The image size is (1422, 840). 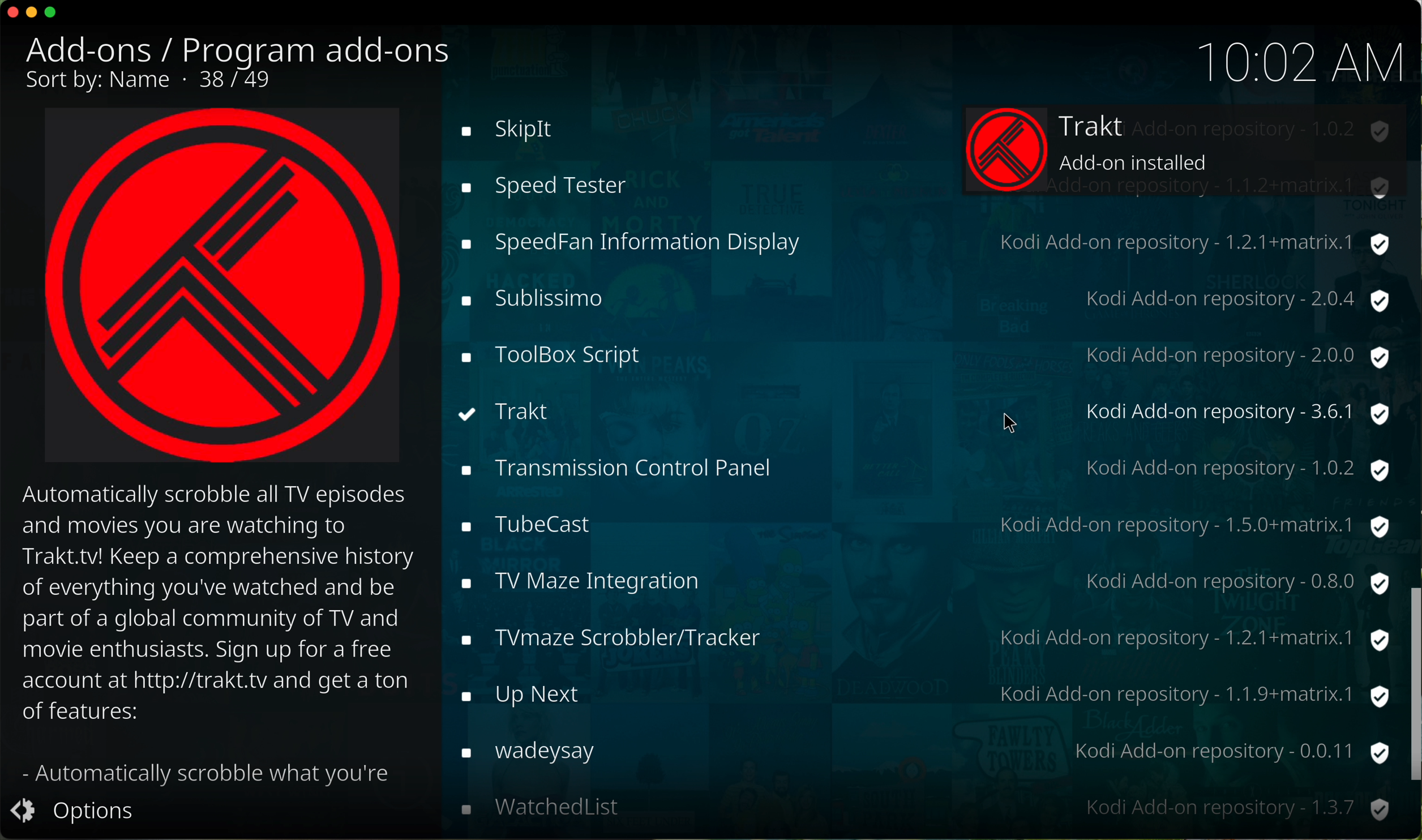 I want to click on tubecast, so click(x=922, y=302).